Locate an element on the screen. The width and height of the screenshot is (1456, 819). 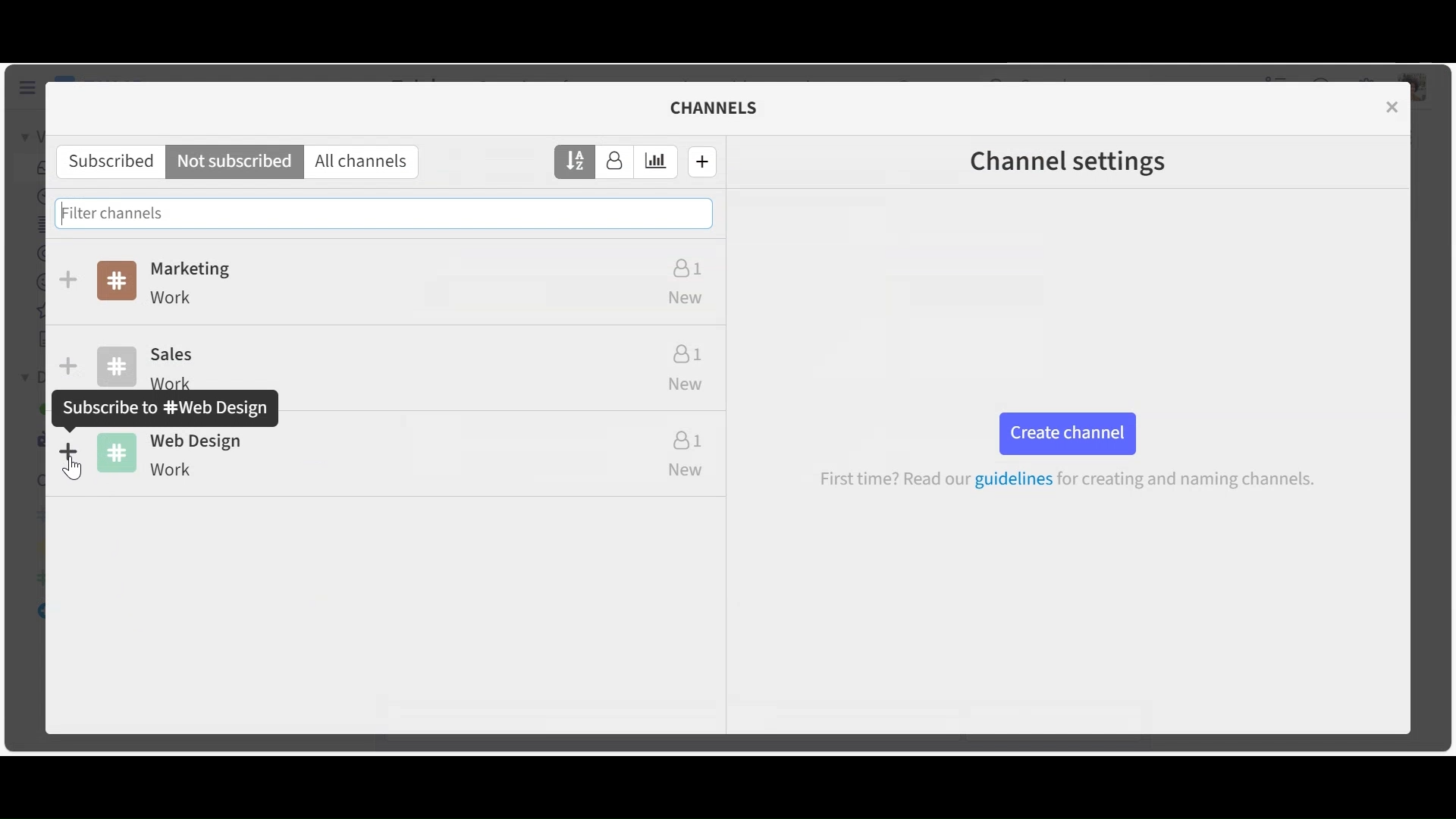
Close is located at coordinates (1389, 108).